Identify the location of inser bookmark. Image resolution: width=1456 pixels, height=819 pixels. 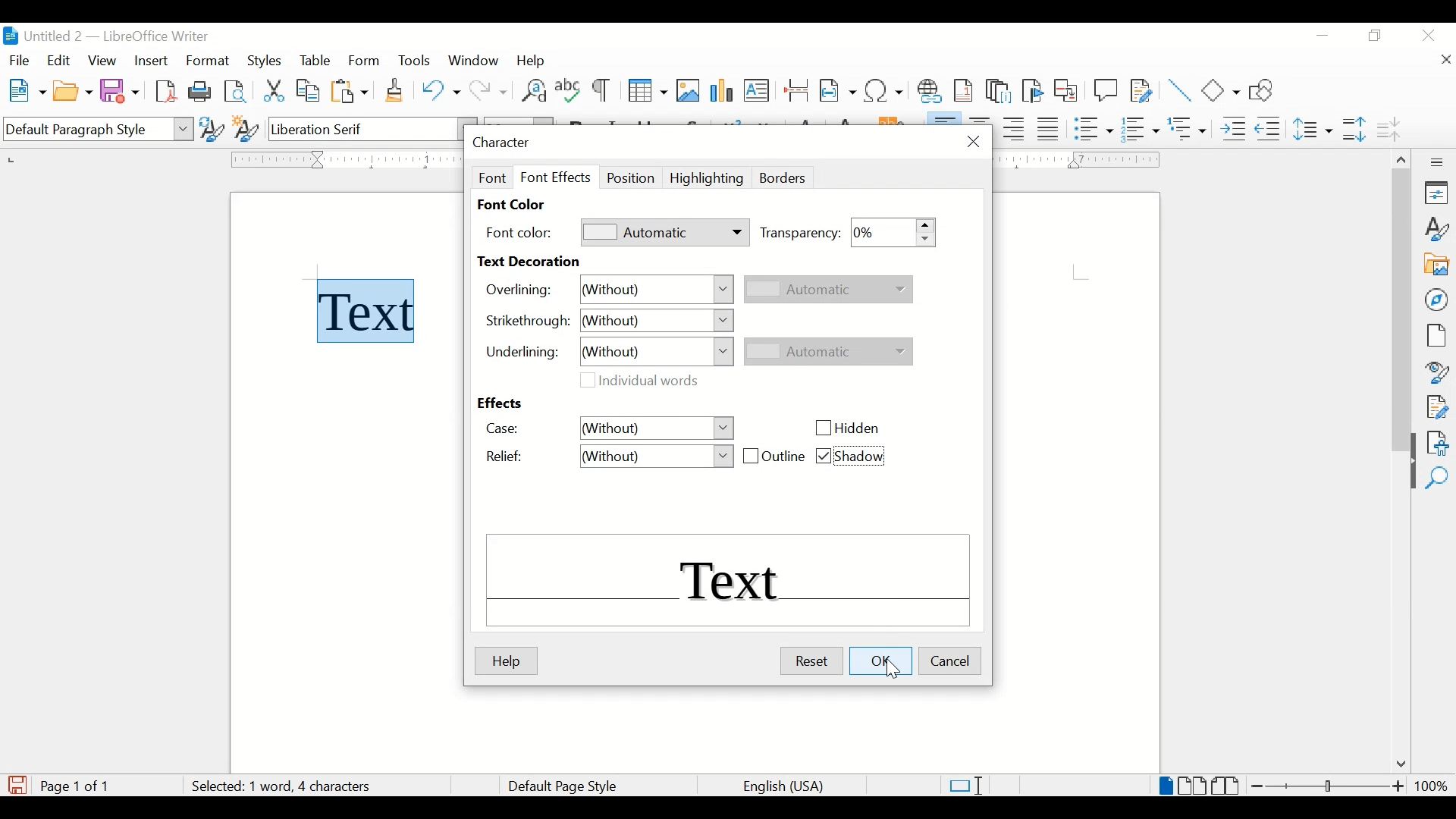
(1032, 91).